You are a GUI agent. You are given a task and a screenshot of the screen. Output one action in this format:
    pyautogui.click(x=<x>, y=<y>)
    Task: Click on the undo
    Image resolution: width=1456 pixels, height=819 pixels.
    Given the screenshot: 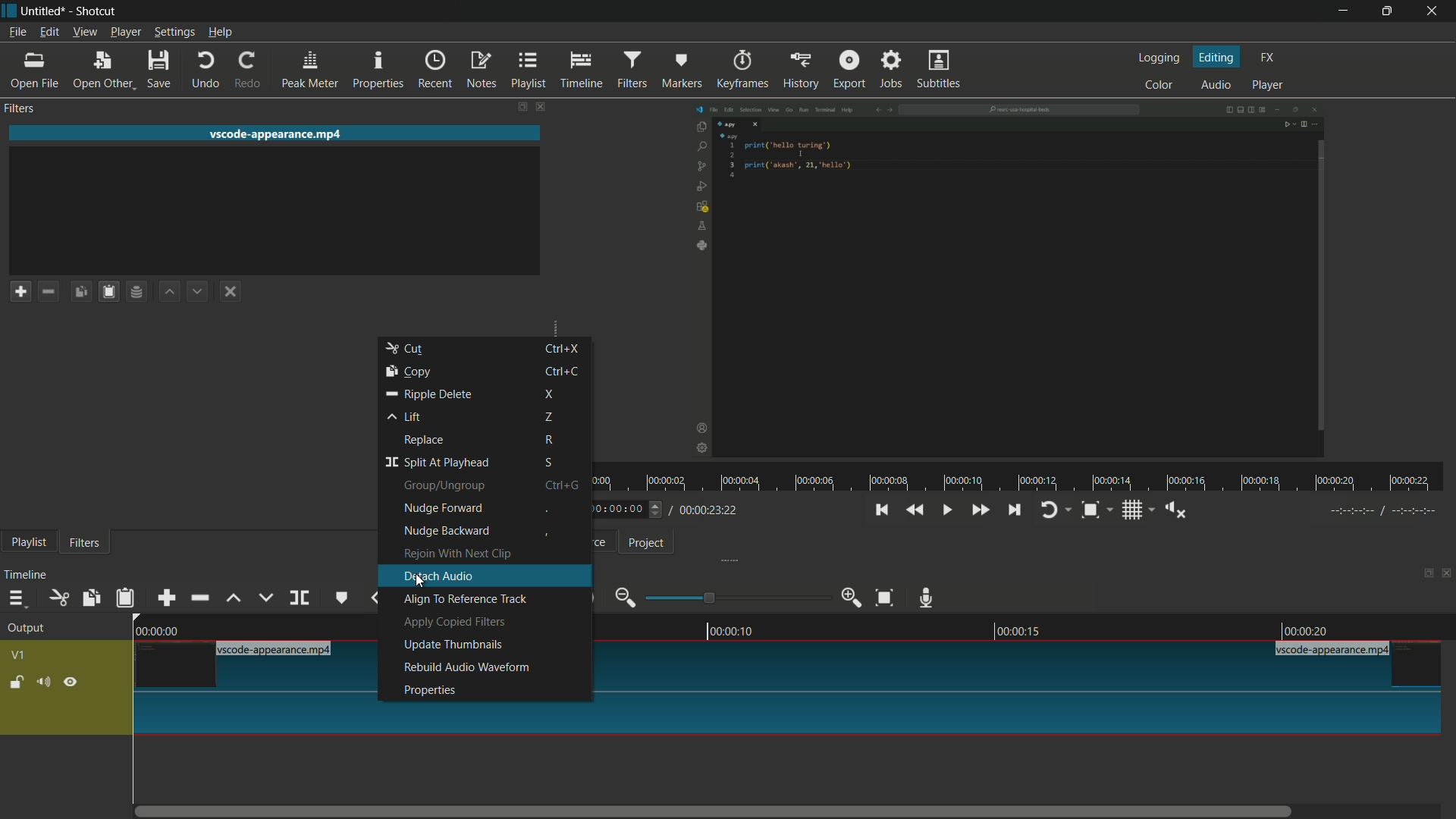 What is the action you would take?
    pyautogui.click(x=208, y=69)
    